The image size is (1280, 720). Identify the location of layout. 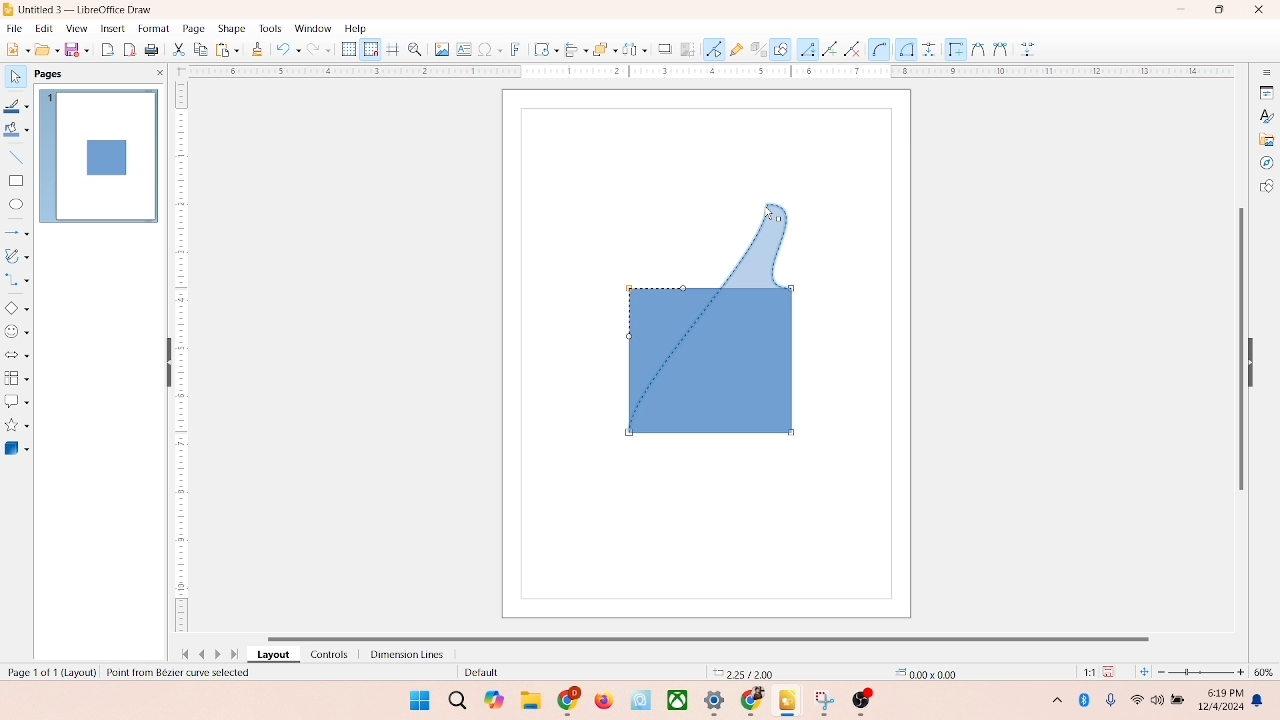
(272, 655).